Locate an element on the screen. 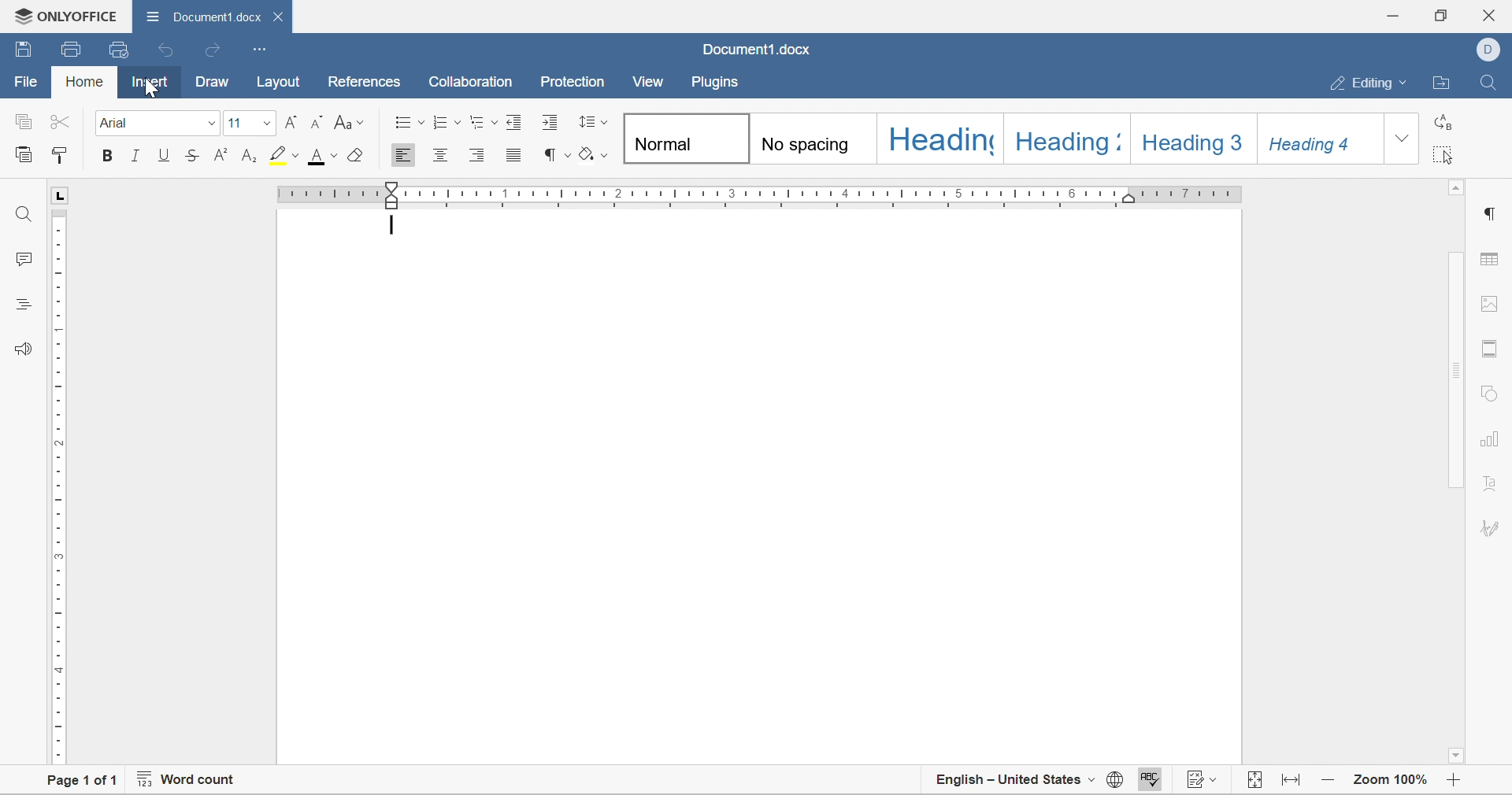 The width and height of the screenshot is (1512, 795). Align left is located at coordinates (405, 154).